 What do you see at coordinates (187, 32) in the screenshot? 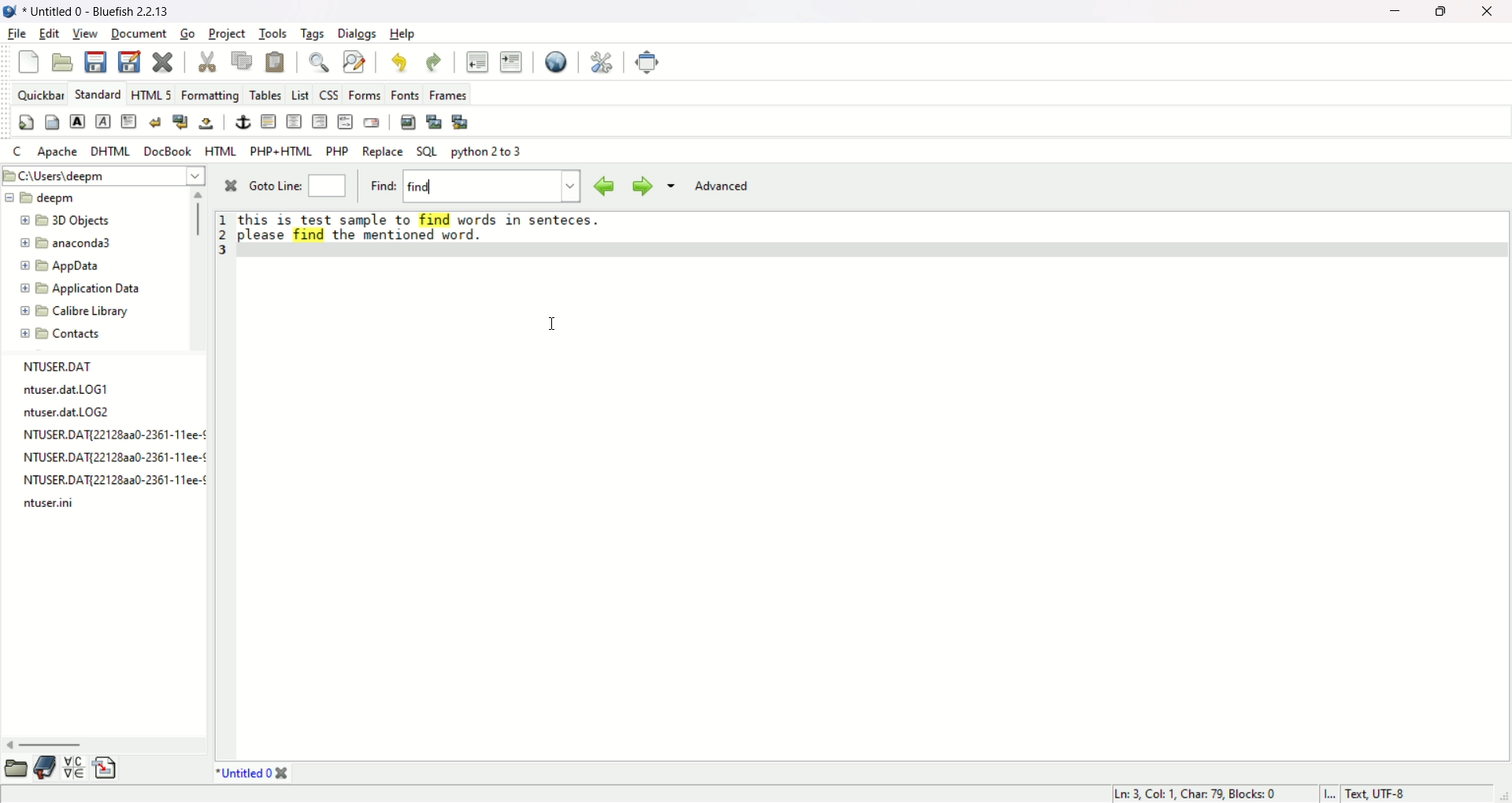
I see `go` at bounding box center [187, 32].